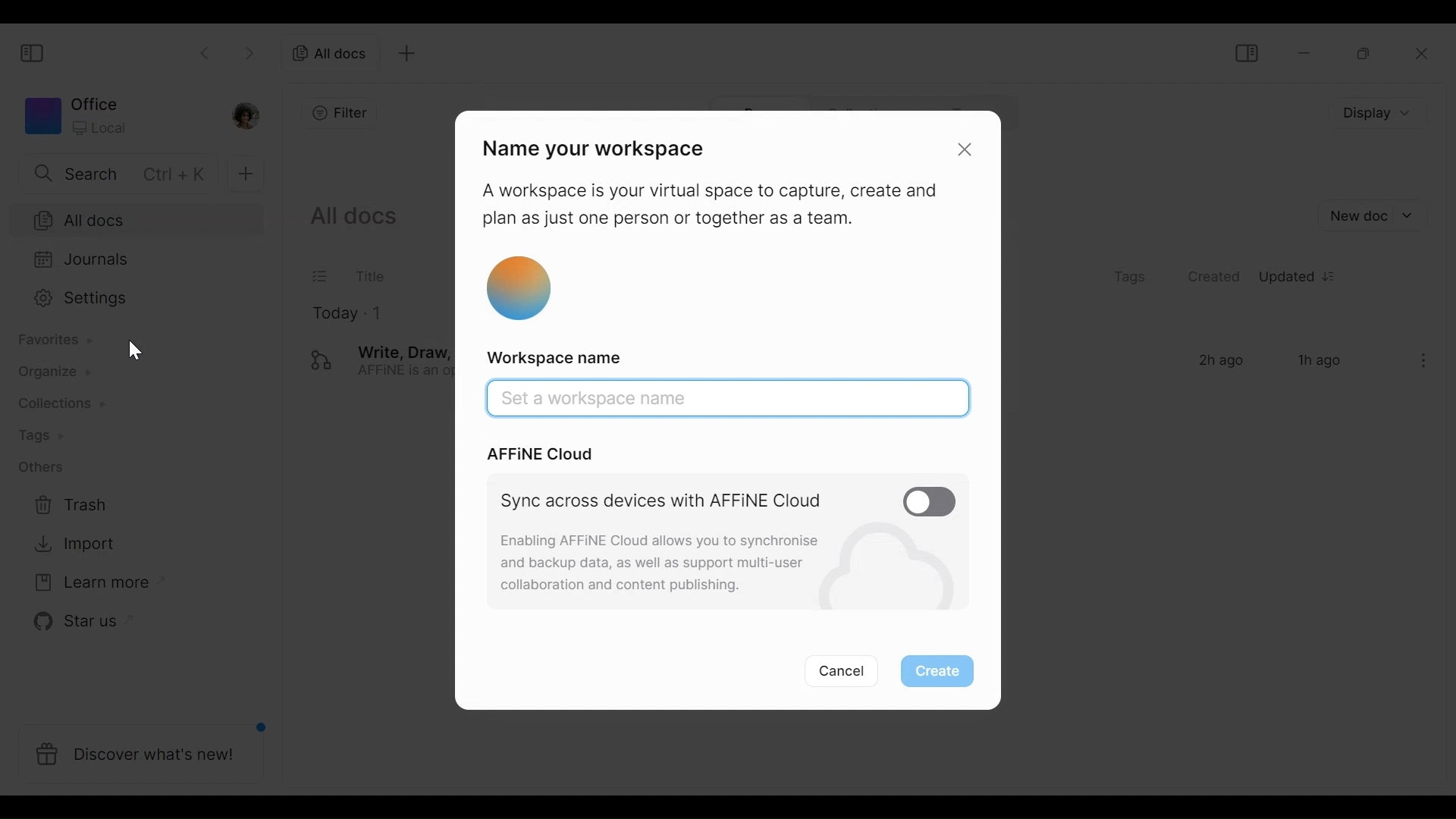  Describe the element at coordinates (39, 466) in the screenshot. I see `Others` at that location.